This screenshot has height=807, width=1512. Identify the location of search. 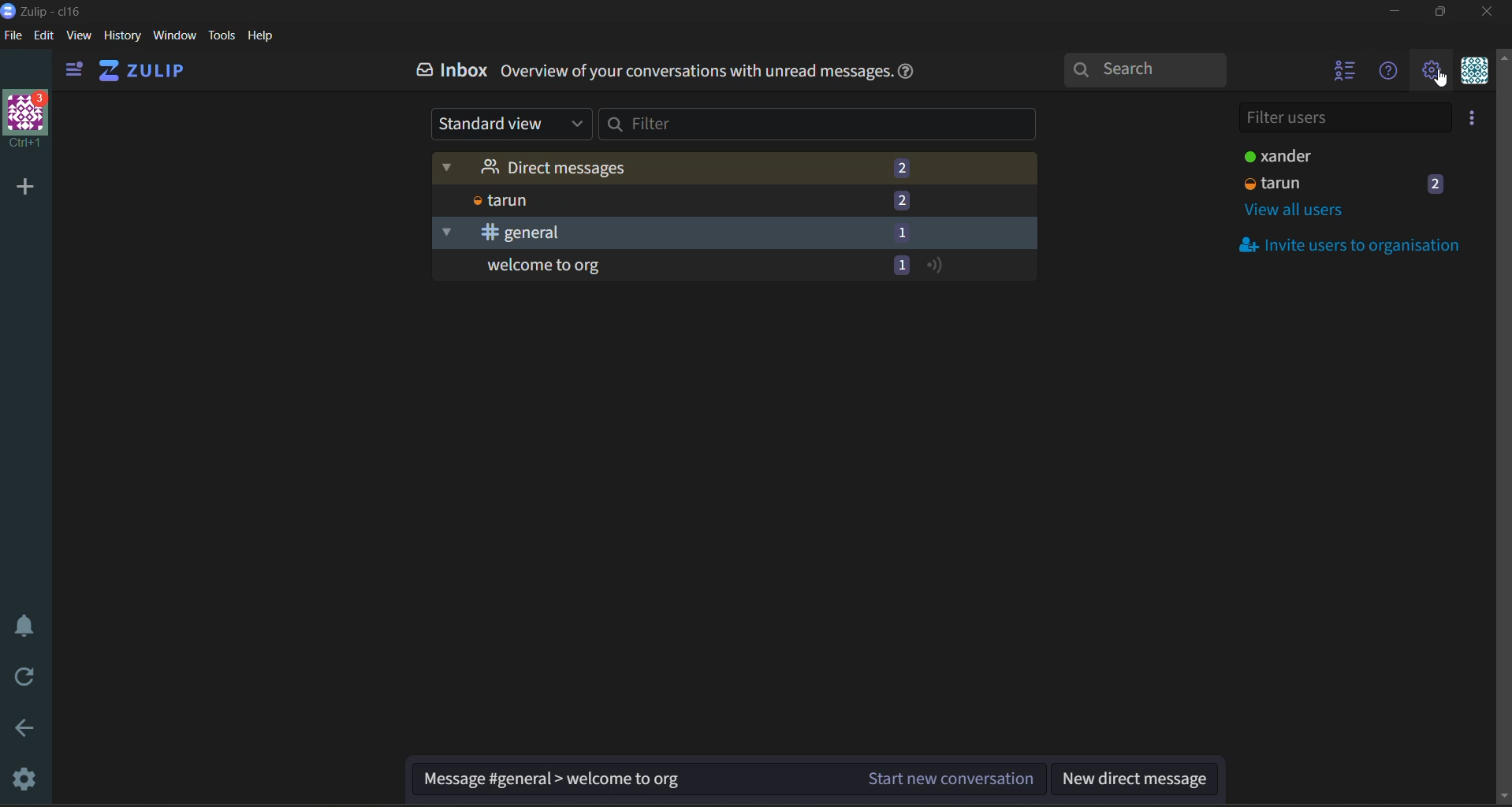
(1141, 69).